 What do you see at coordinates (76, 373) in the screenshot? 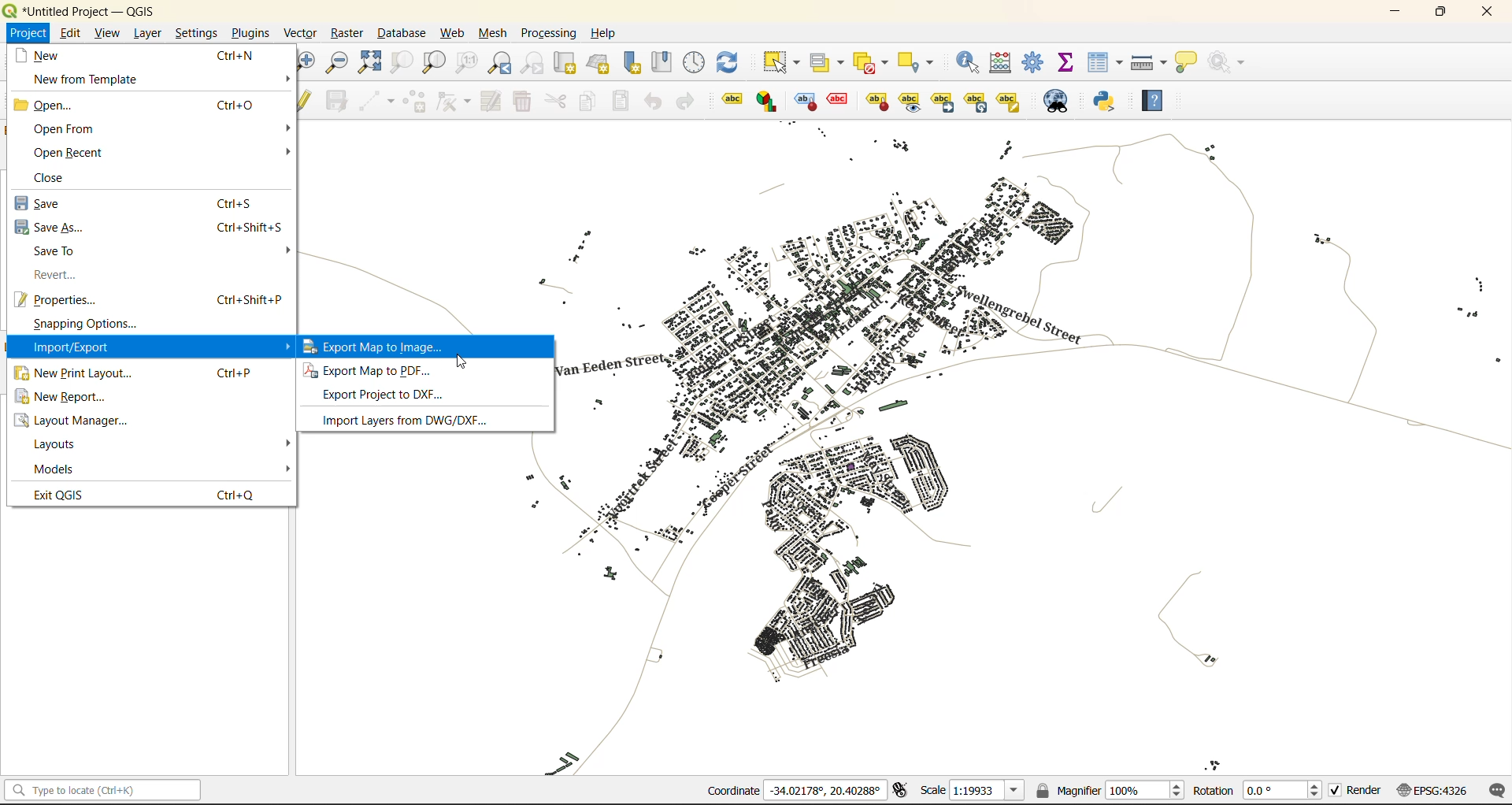
I see `new print layout` at bounding box center [76, 373].